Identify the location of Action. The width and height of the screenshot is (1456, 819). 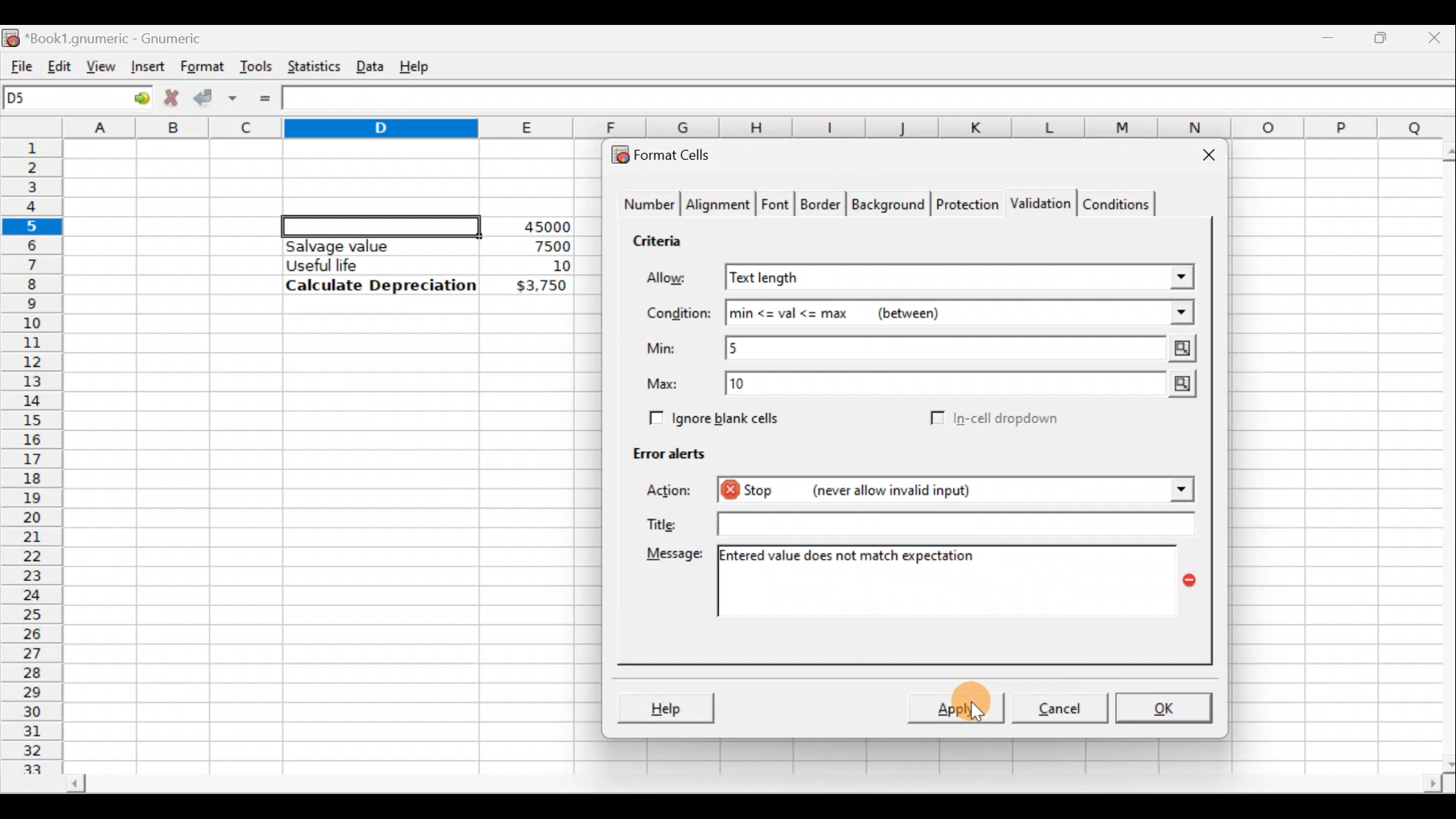
(673, 493).